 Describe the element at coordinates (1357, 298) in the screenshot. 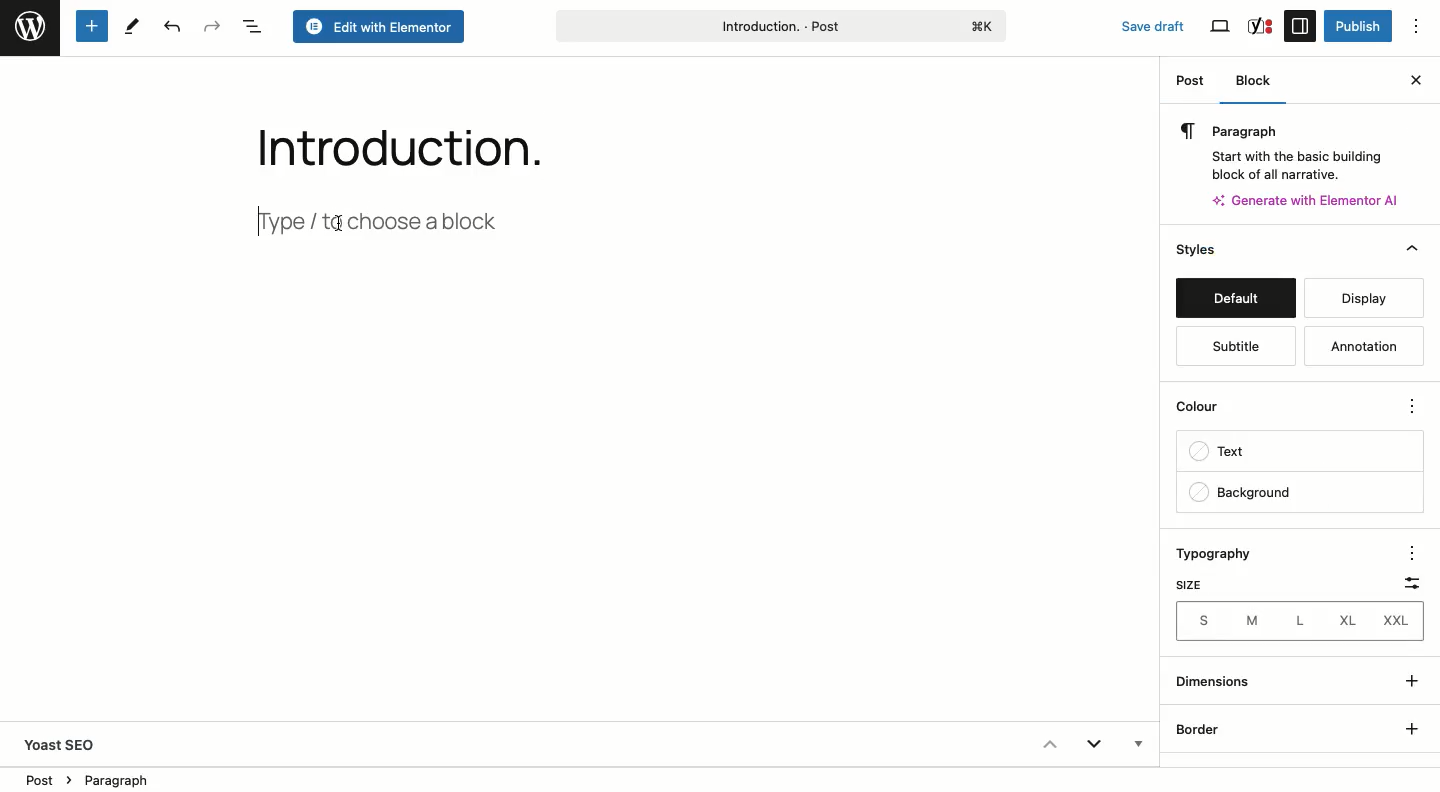

I see `Display` at that location.